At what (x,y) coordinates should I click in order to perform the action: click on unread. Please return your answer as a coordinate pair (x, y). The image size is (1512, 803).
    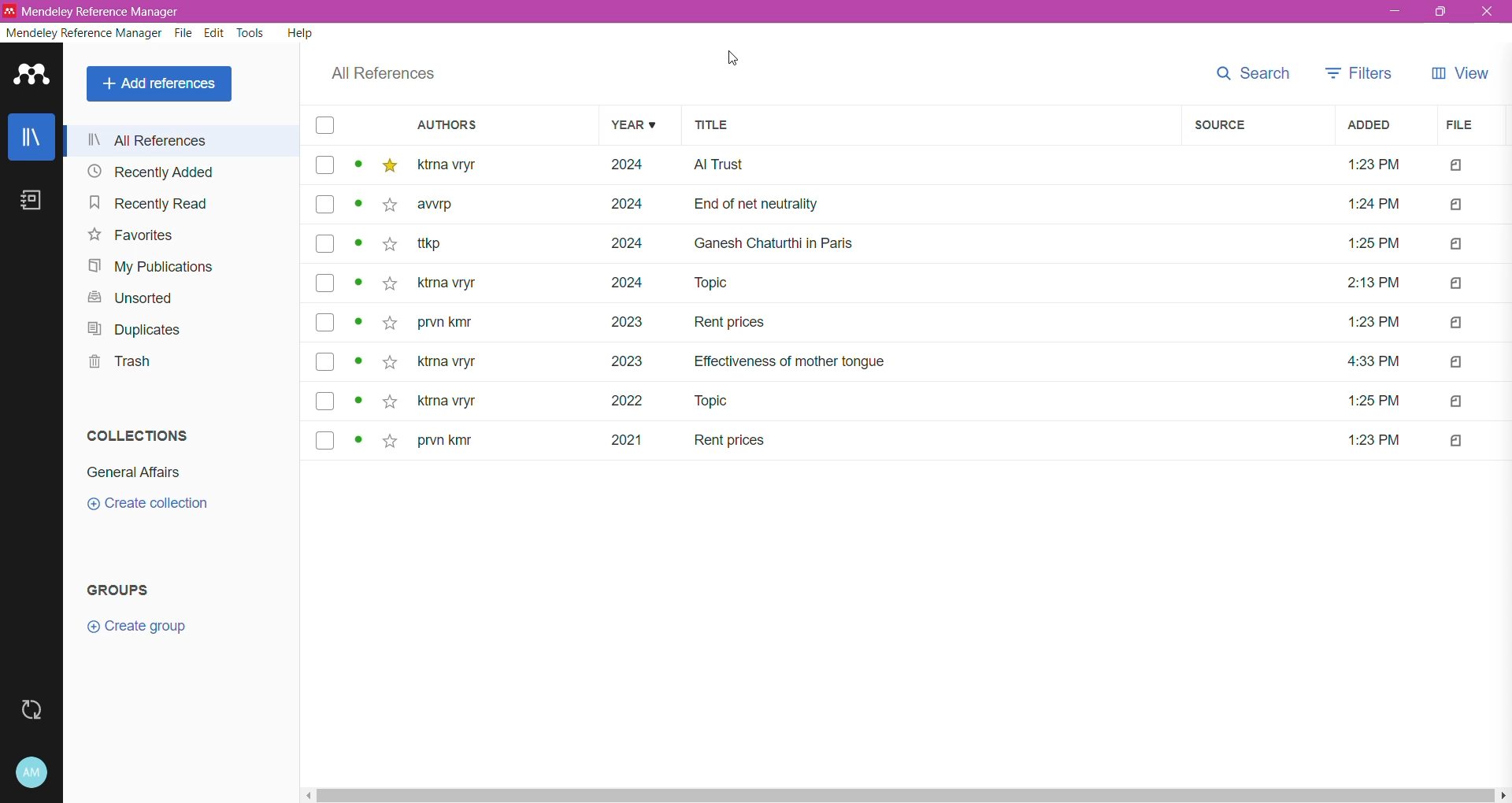
    Looking at the image, I should click on (358, 243).